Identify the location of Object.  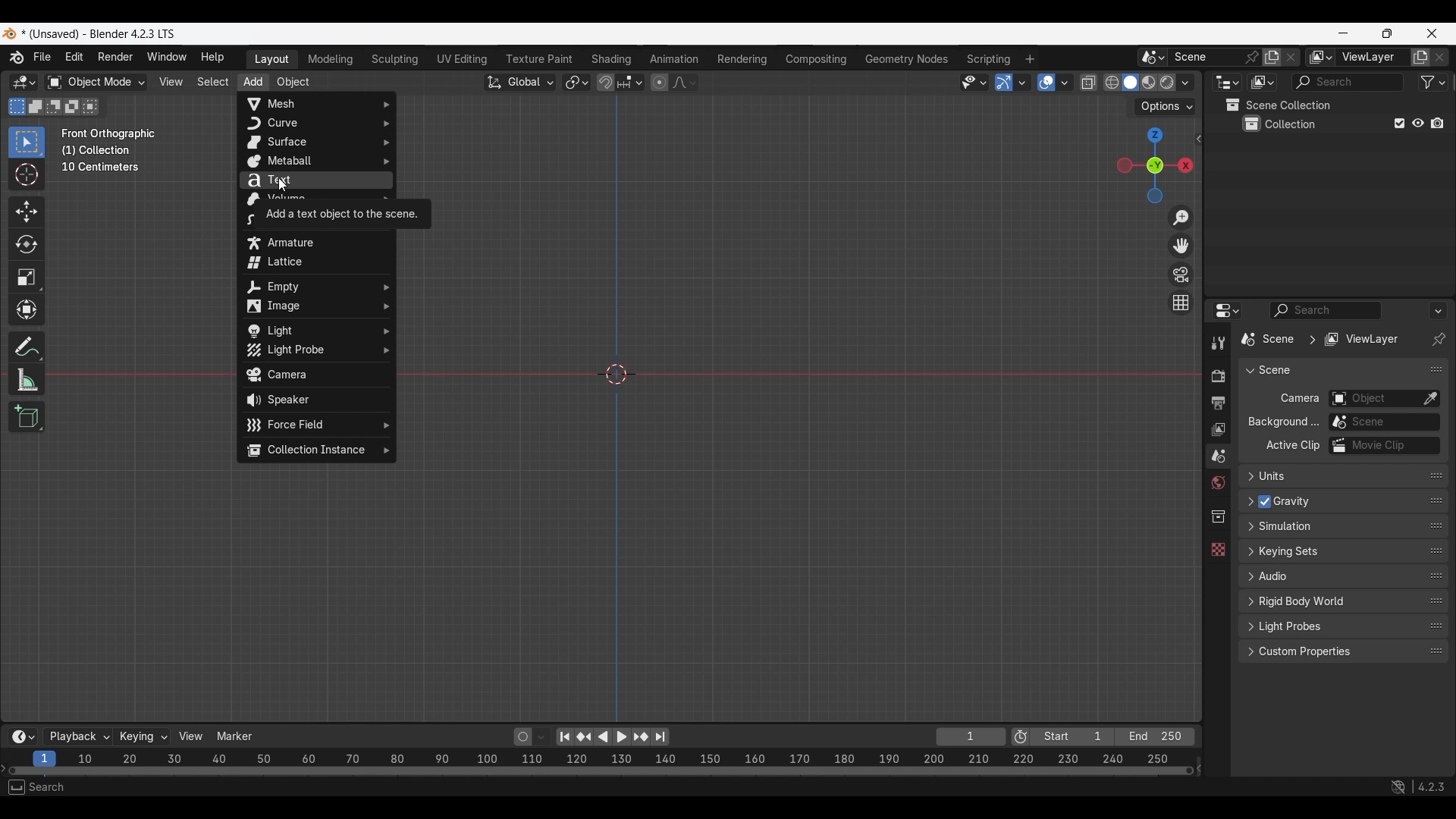
(460, 789).